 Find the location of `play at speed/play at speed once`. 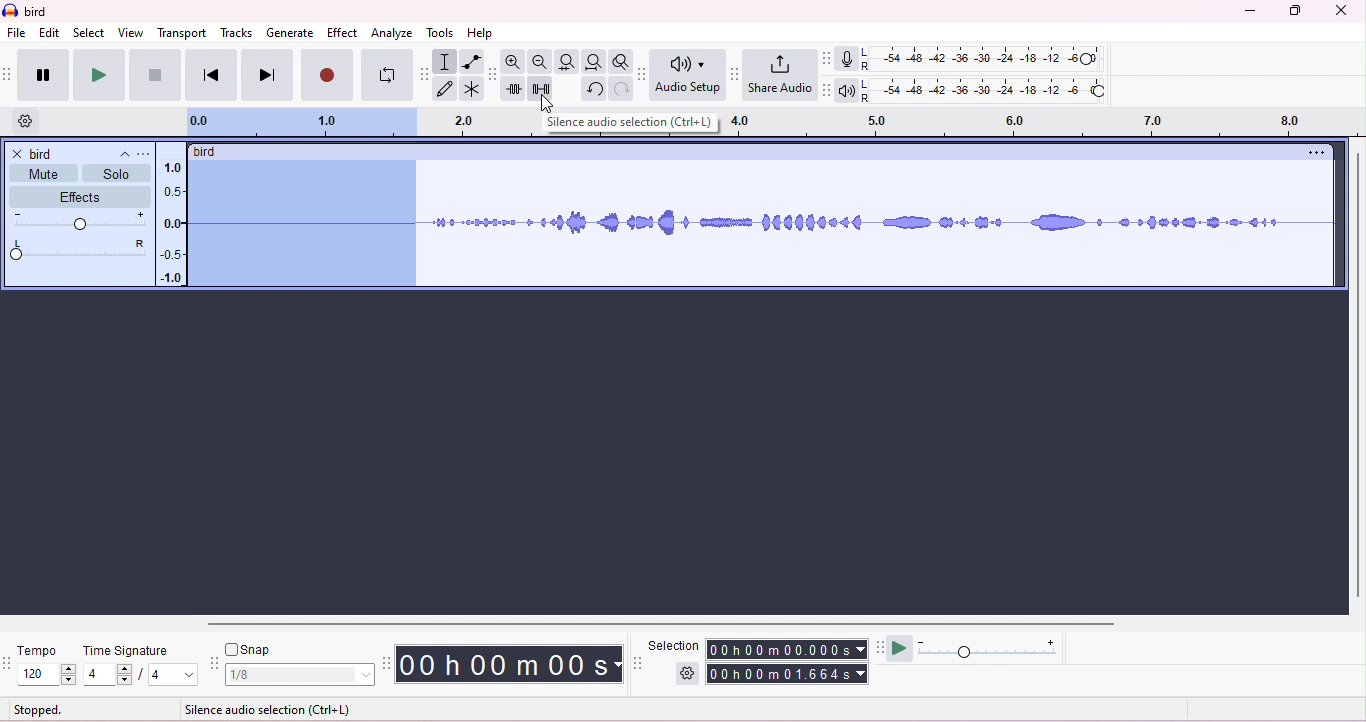

play at speed/play at speed once is located at coordinates (902, 649).